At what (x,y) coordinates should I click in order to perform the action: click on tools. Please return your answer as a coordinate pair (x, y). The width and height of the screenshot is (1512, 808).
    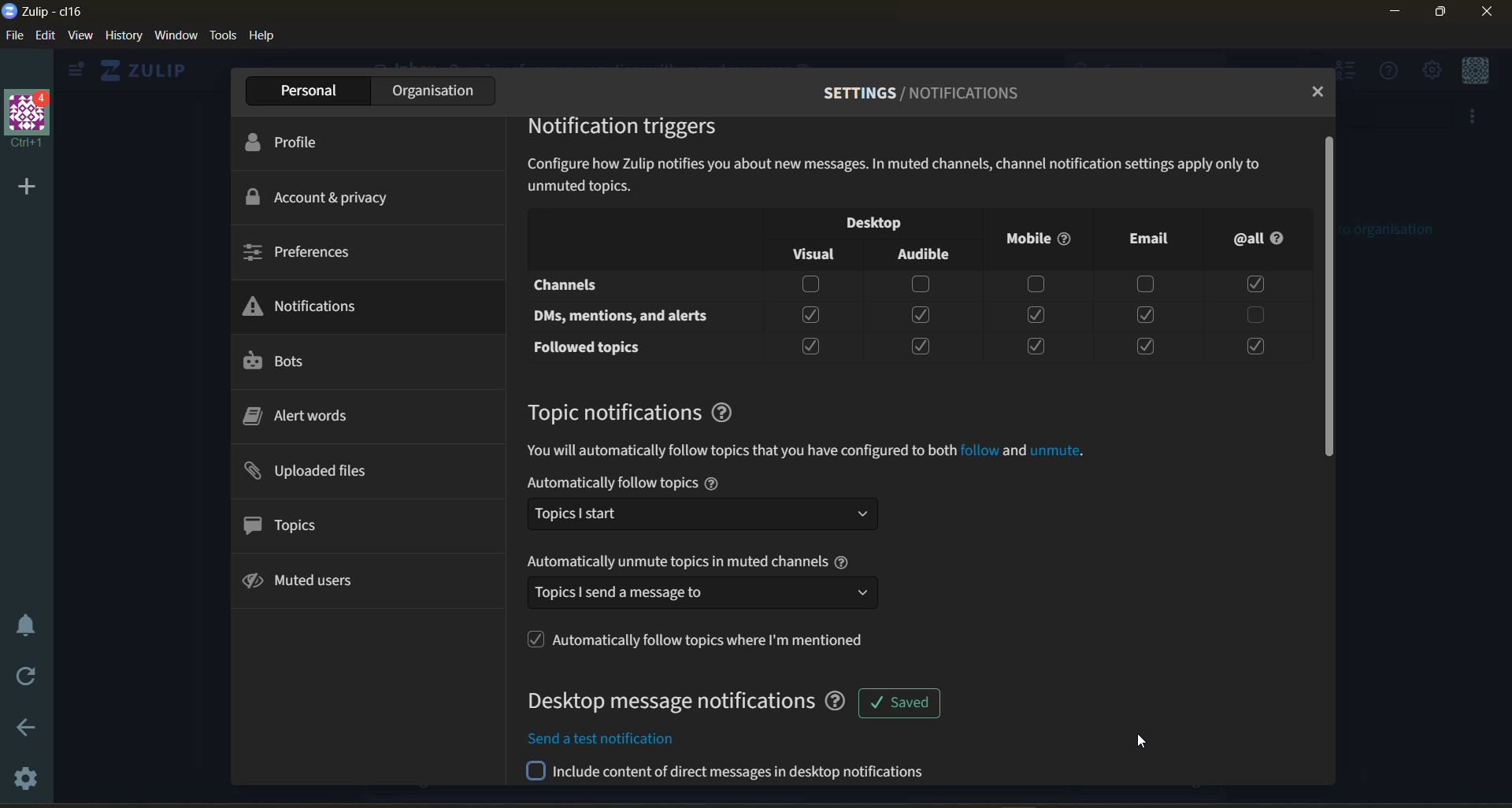
    Looking at the image, I should click on (224, 36).